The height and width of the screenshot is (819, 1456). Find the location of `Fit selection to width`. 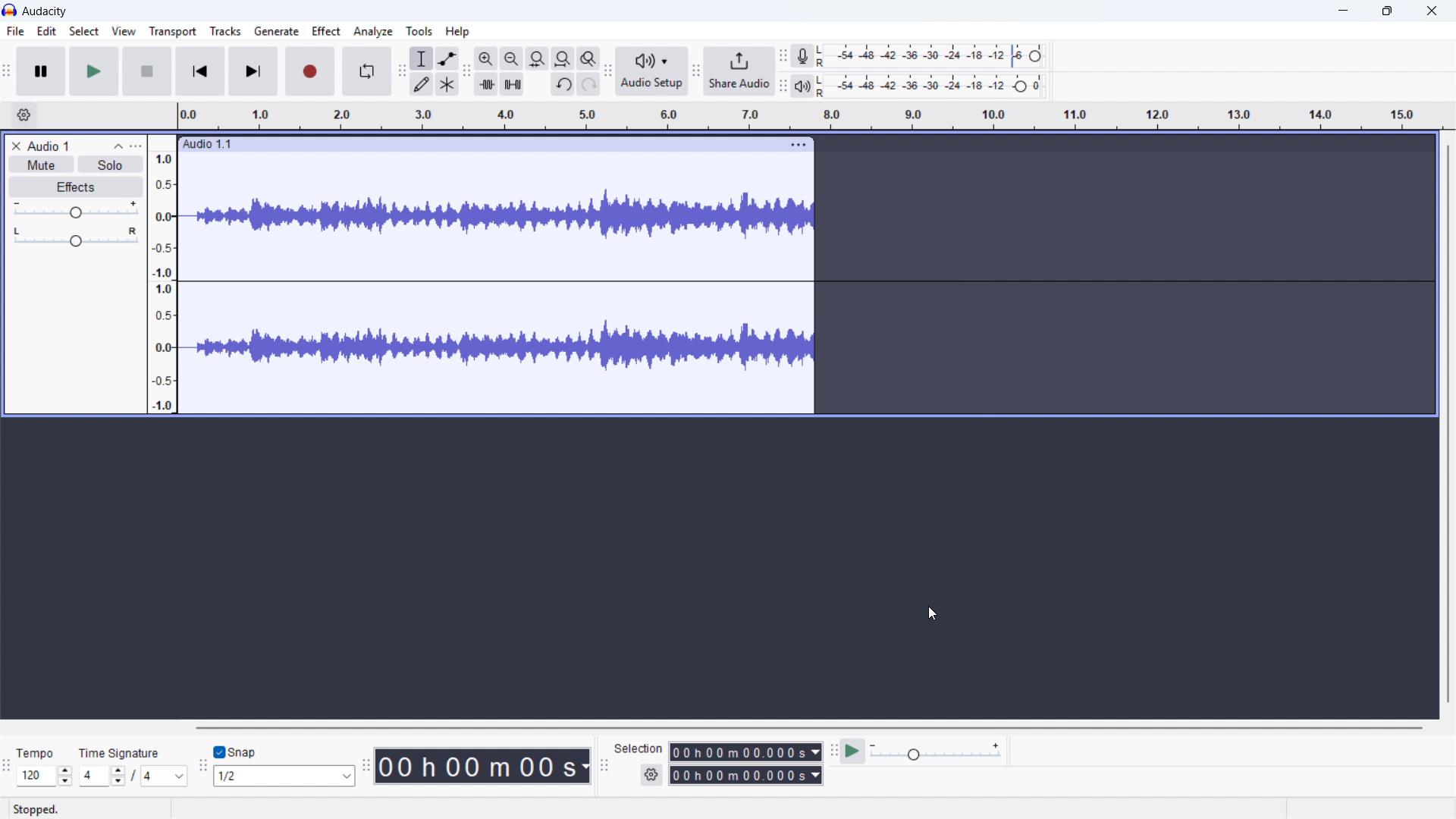

Fit selection to width is located at coordinates (538, 58).